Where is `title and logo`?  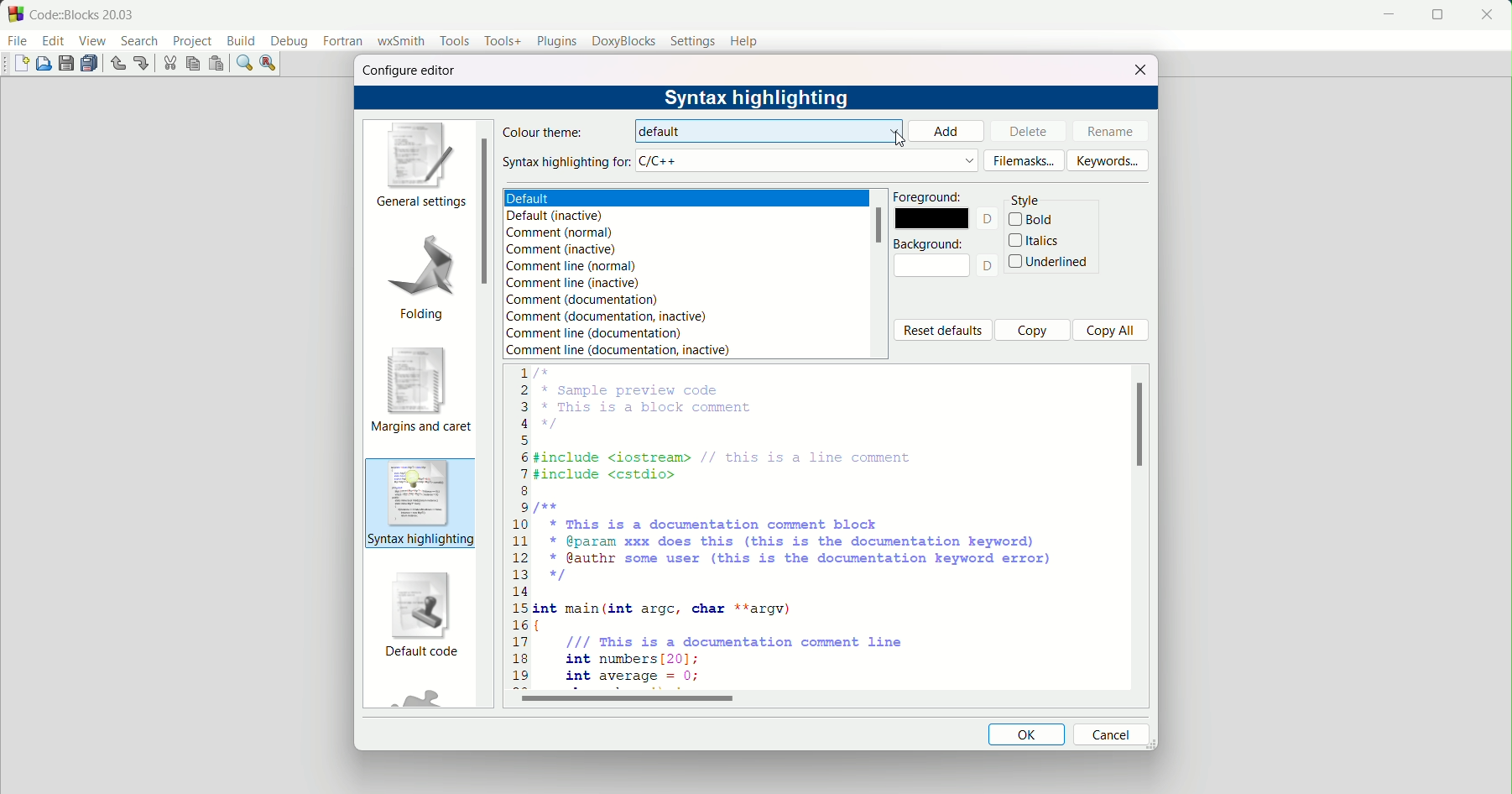
title and logo is located at coordinates (73, 13).